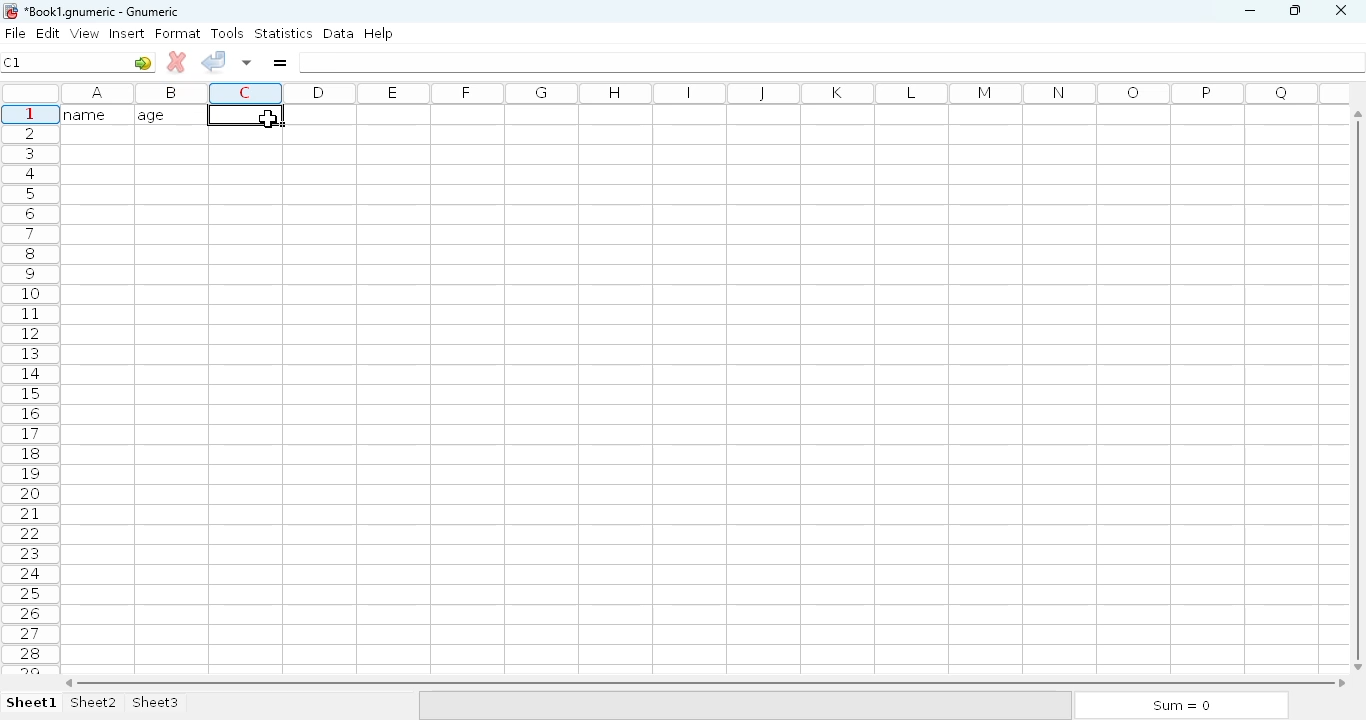 The height and width of the screenshot is (720, 1366). What do you see at coordinates (699, 93) in the screenshot?
I see `column` at bounding box center [699, 93].